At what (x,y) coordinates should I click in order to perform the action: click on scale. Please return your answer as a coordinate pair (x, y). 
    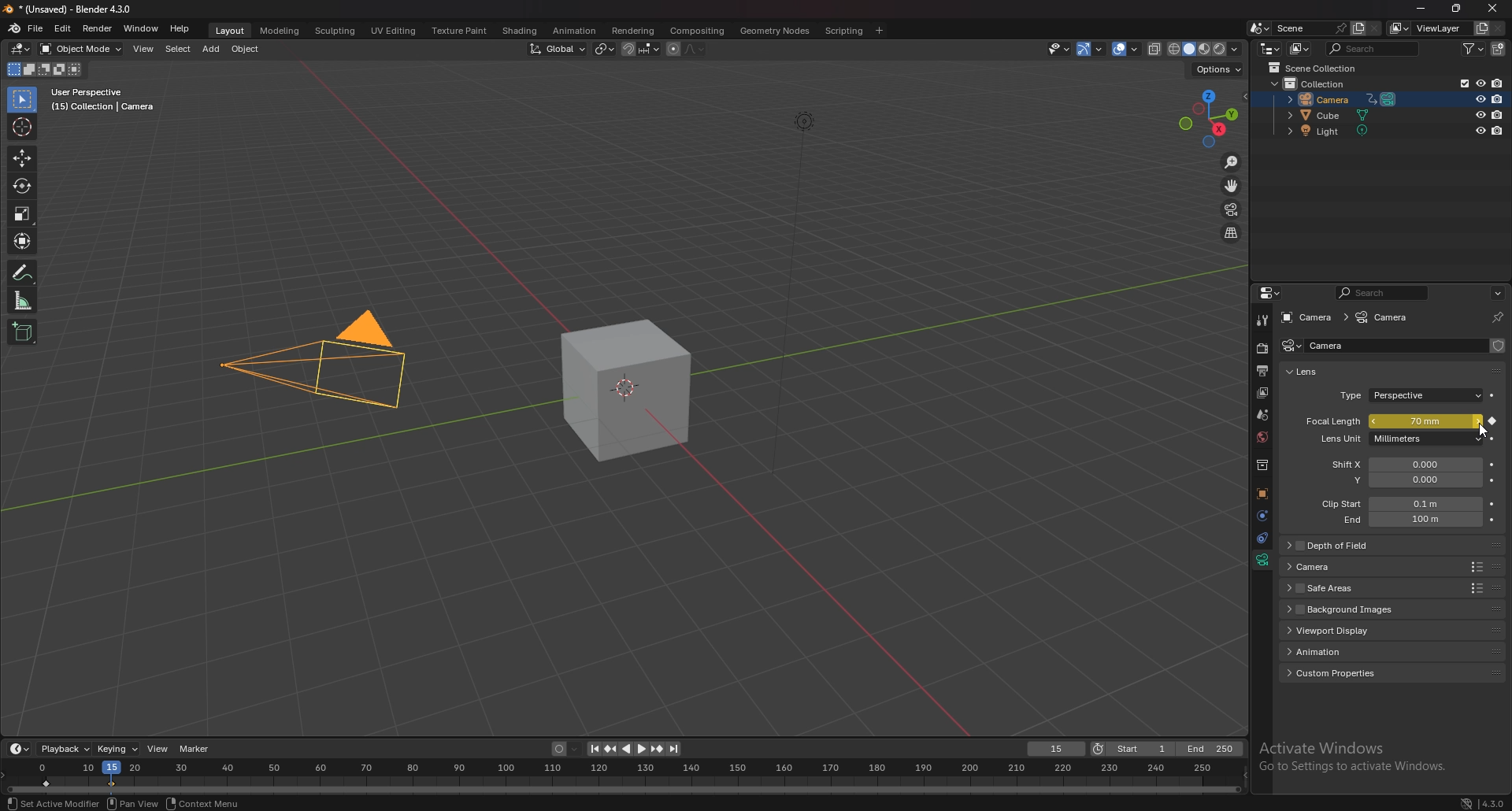
    Looking at the image, I should click on (24, 213).